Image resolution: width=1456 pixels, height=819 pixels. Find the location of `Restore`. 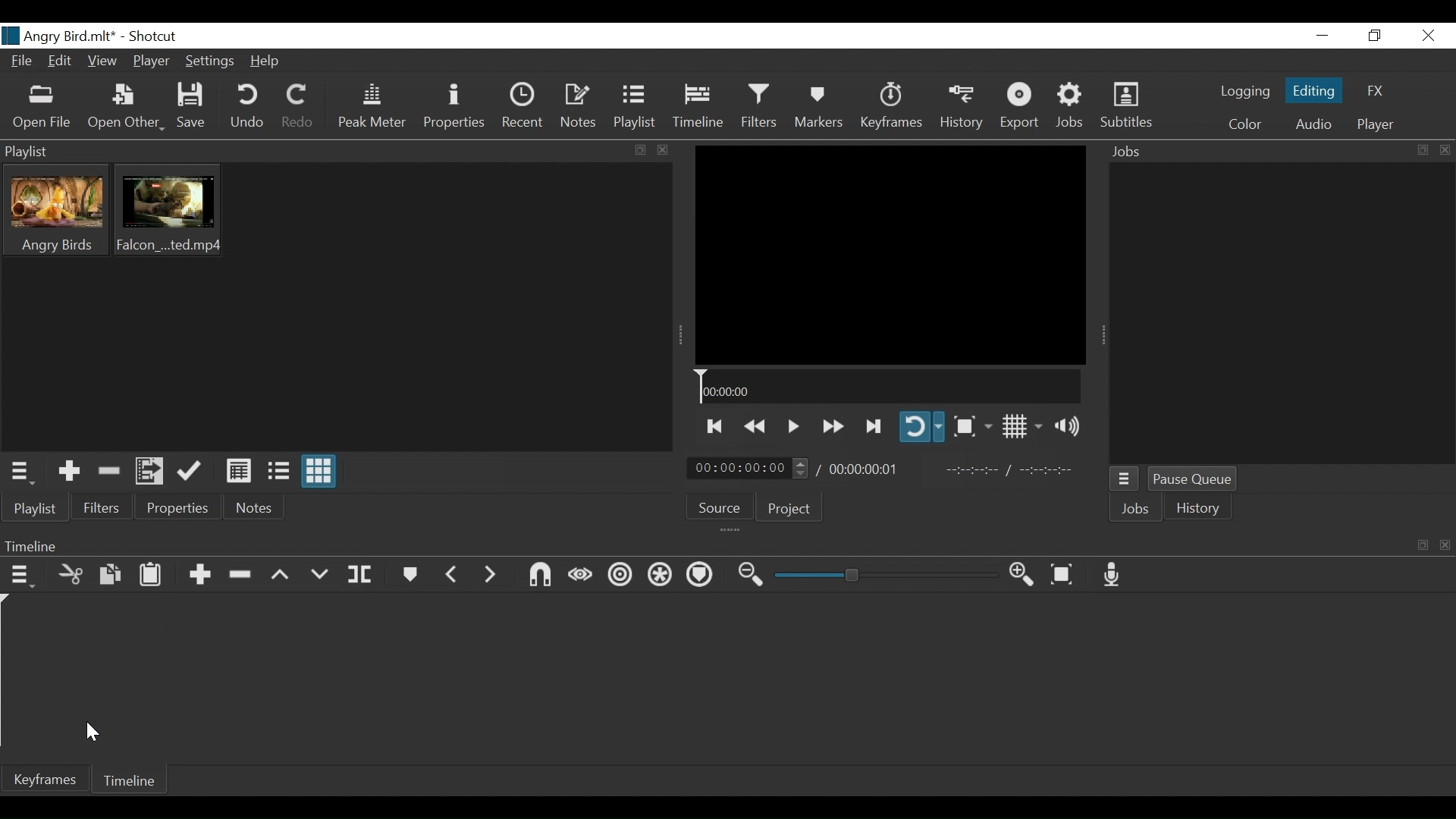

Restore is located at coordinates (1376, 35).